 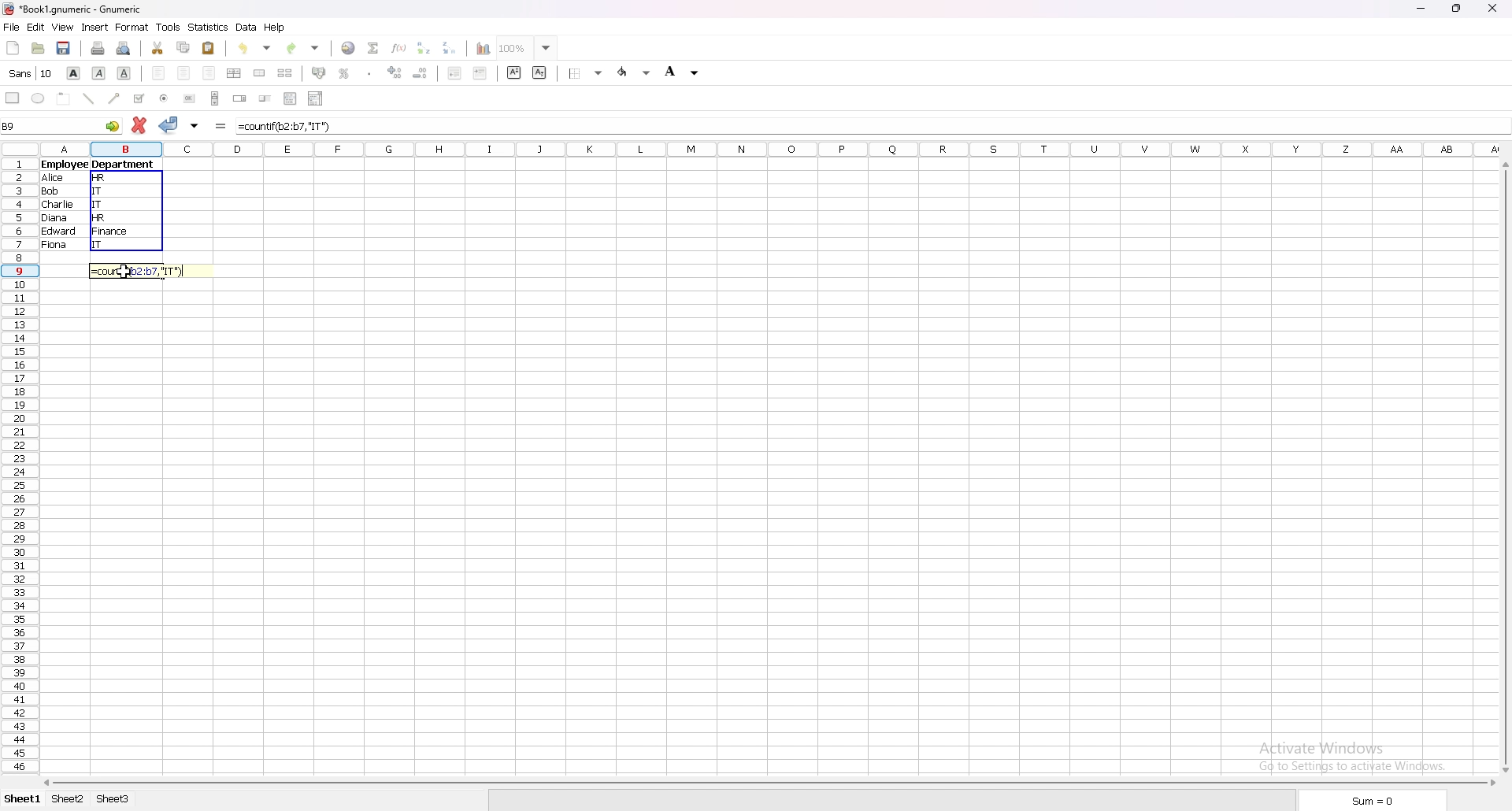 I want to click on border, so click(x=586, y=73).